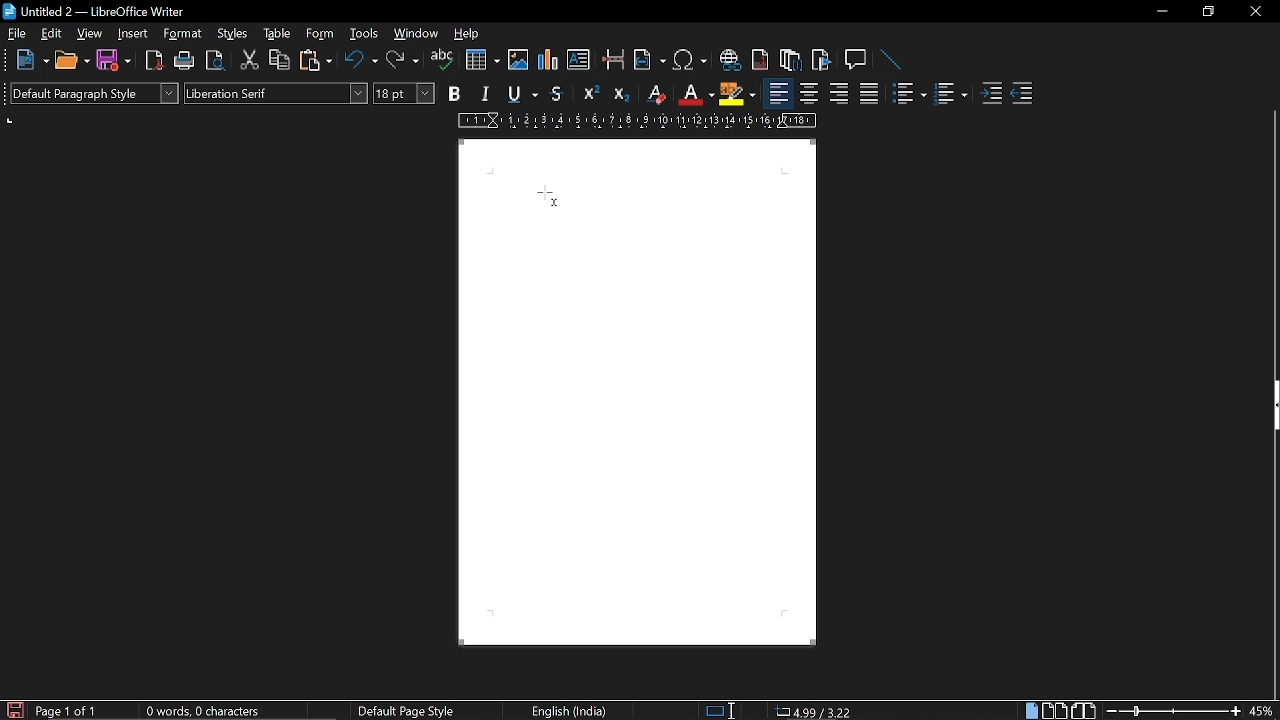 This screenshot has width=1280, height=720. Describe the element at coordinates (761, 61) in the screenshot. I see `insert footnote` at that location.